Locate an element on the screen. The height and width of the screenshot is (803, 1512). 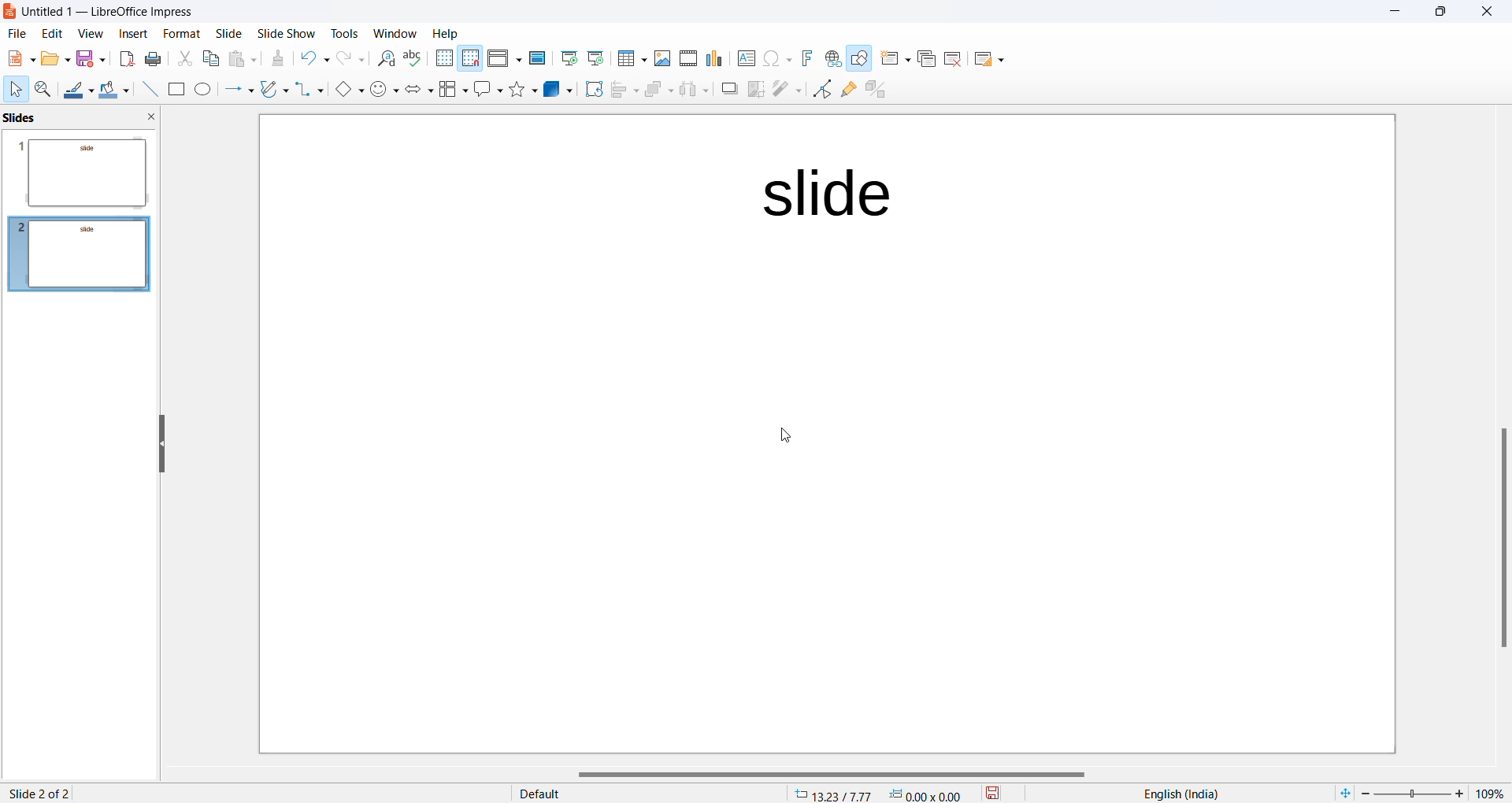
current slide is located at coordinates (828, 435).